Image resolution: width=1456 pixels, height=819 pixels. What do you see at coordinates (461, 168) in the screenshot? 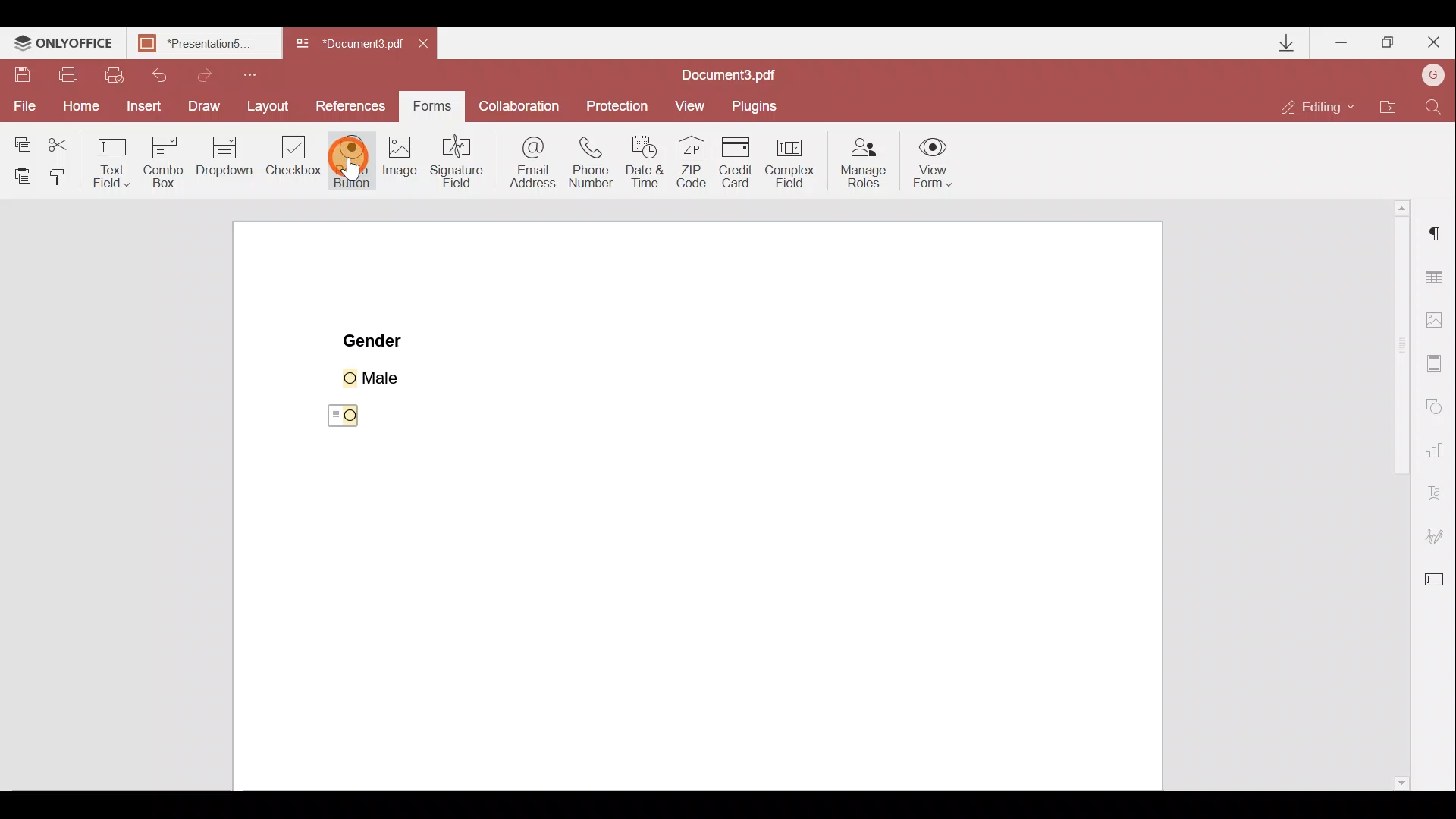
I see `Signature field` at bounding box center [461, 168].